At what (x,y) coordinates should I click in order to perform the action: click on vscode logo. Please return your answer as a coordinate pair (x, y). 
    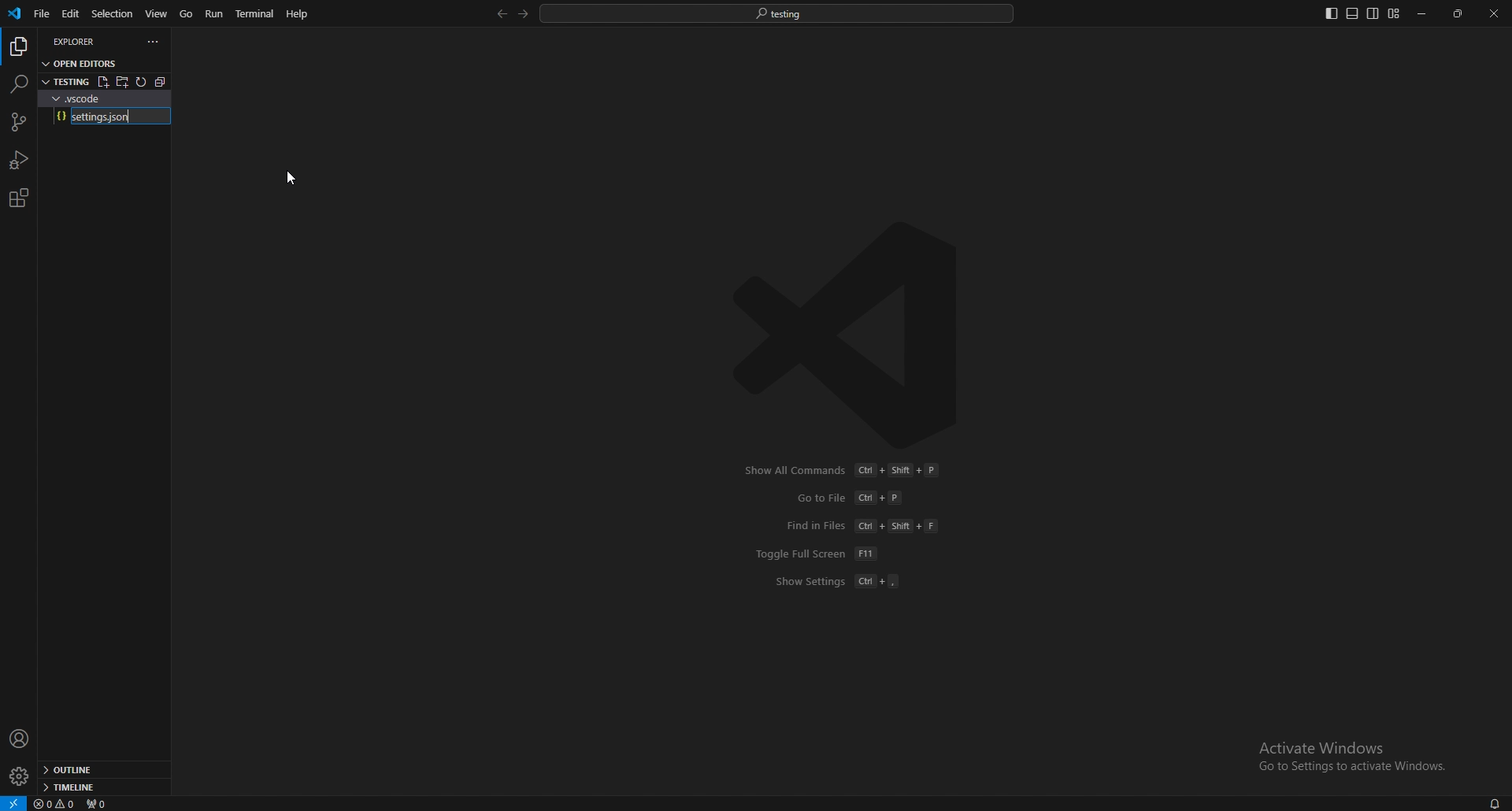
    Looking at the image, I should click on (855, 335).